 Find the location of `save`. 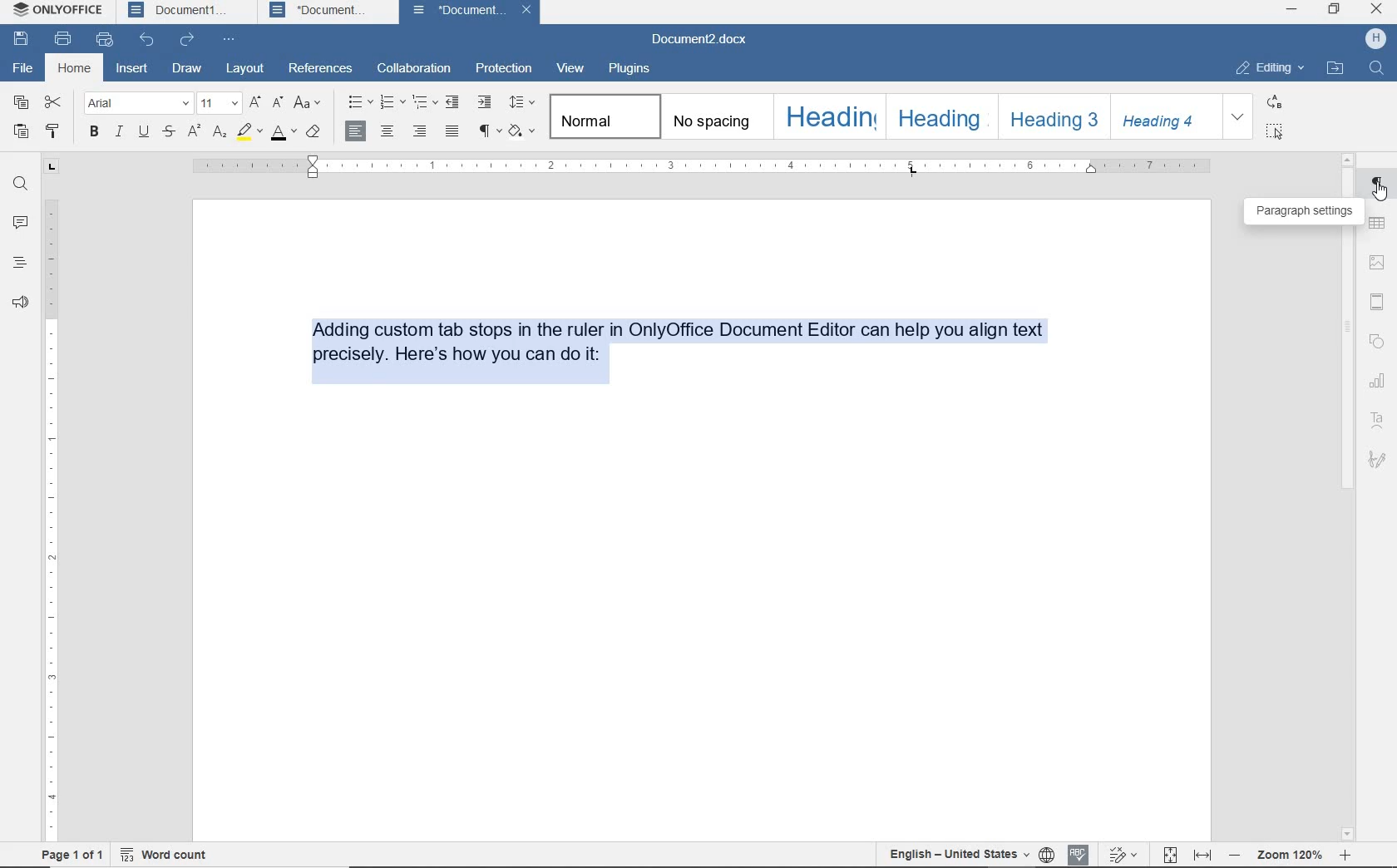

save is located at coordinates (21, 41).